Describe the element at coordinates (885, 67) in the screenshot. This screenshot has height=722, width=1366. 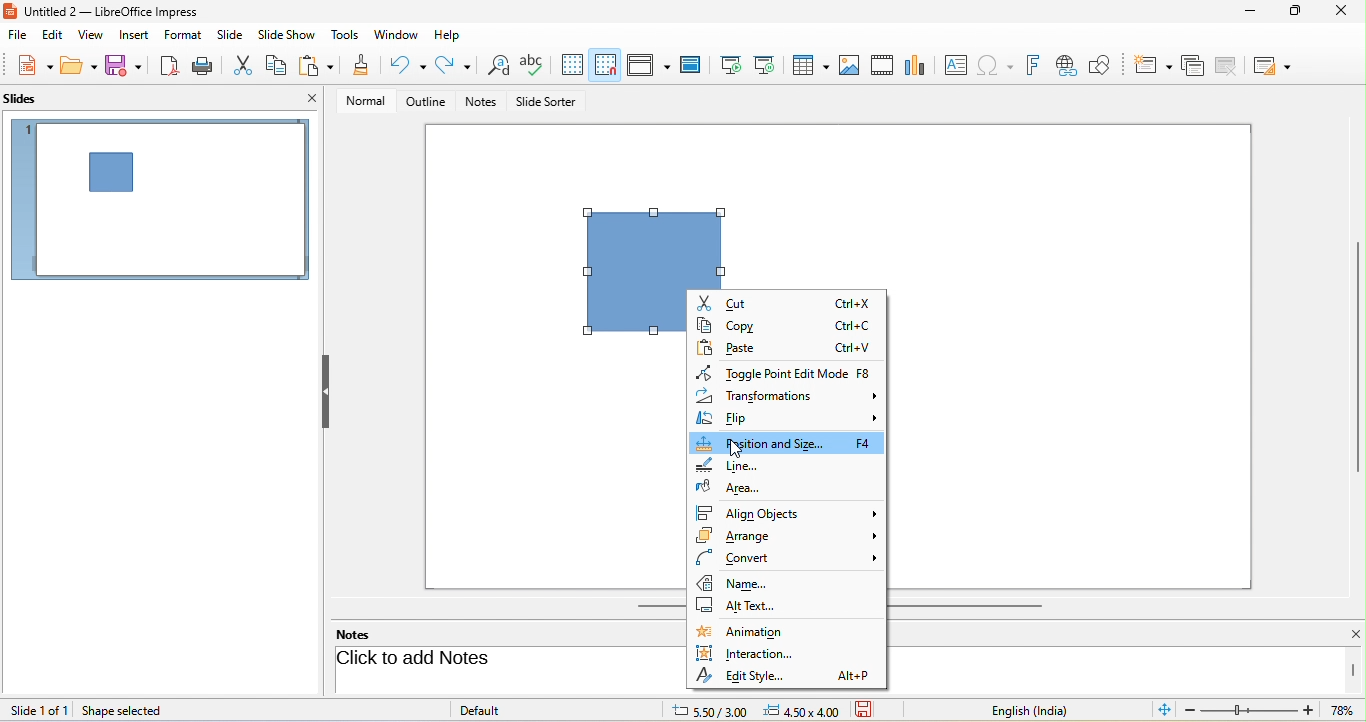
I see `audio or video` at that location.